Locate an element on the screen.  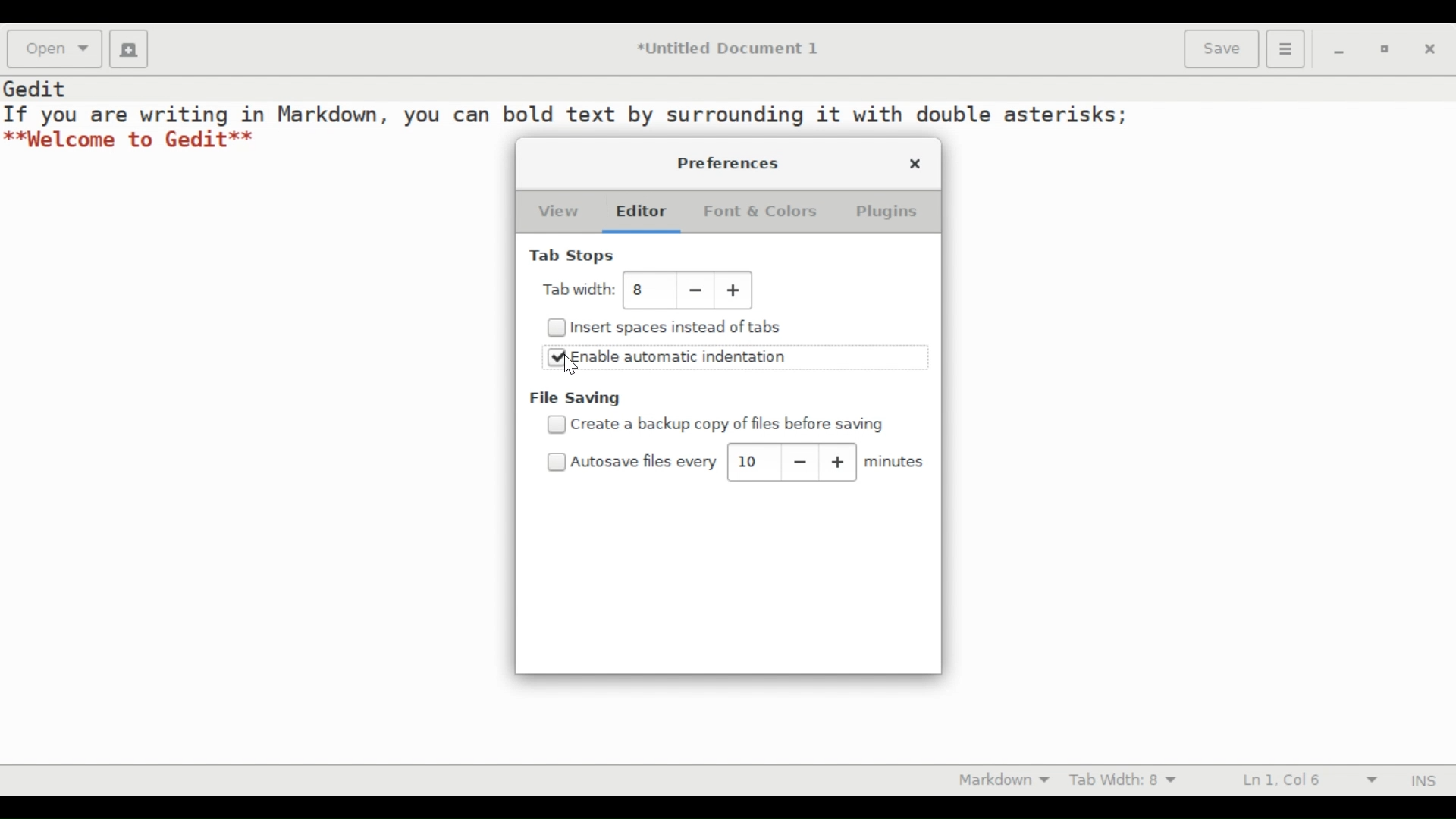
Tab Stops is located at coordinates (577, 254).